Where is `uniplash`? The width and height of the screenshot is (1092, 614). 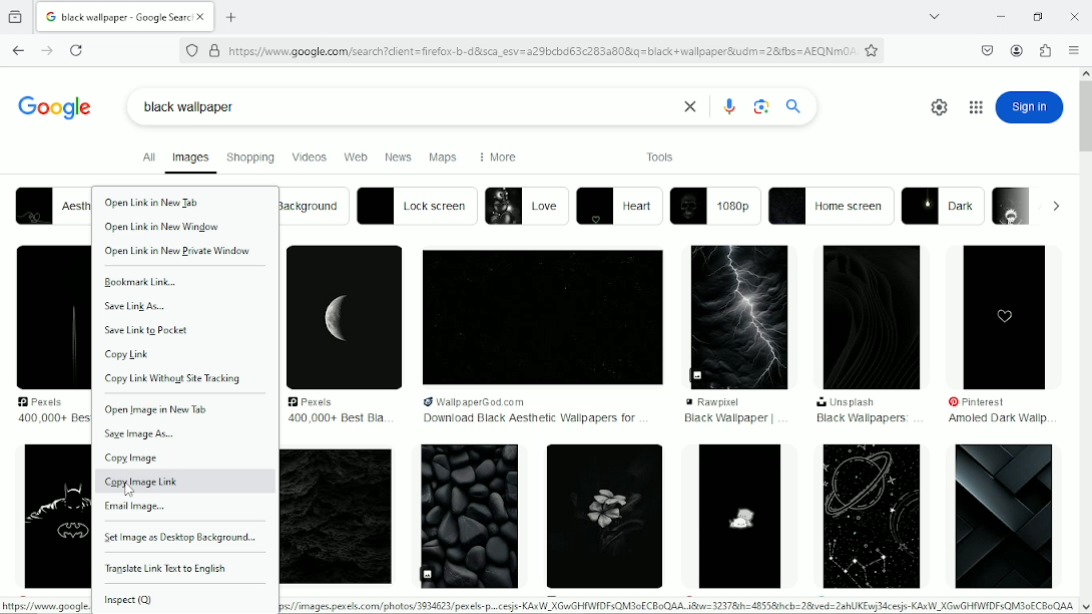
uniplash is located at coordinates (847, 403).